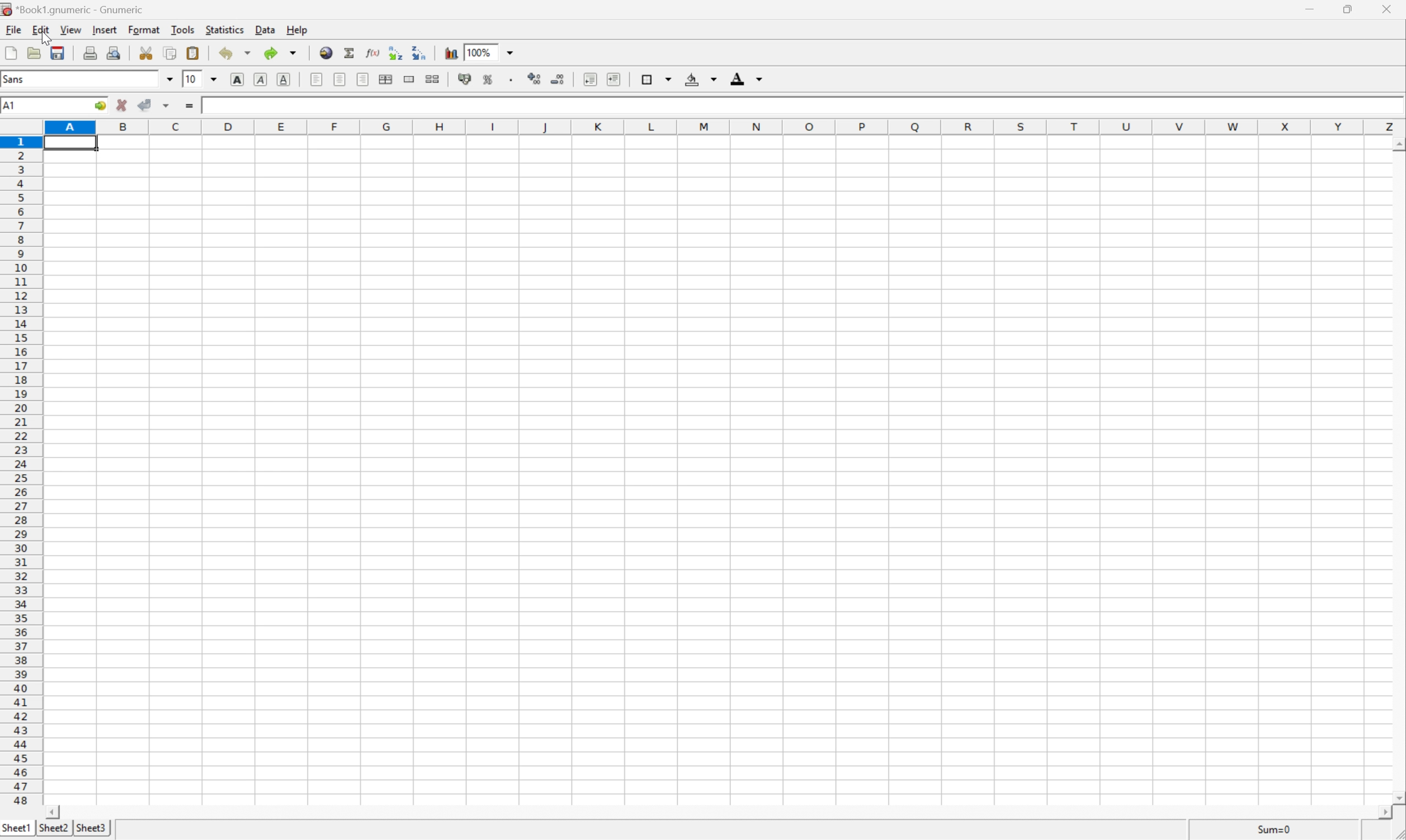  What do you see at coordinates (490, 52) in the screenshot?
I see `100%` at bounding box center [490, 52].